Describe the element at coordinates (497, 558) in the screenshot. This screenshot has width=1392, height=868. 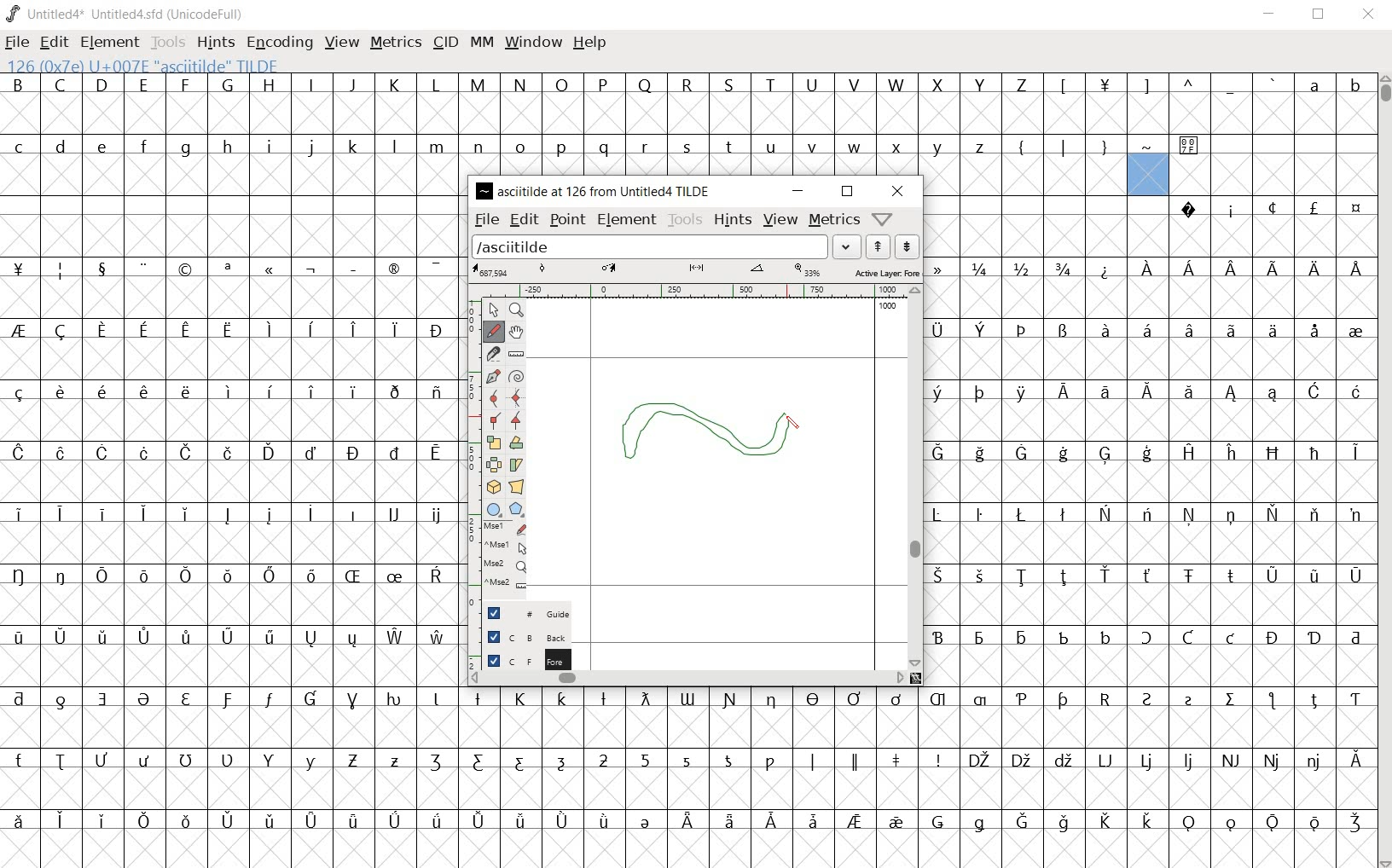
I see `mse1 mse1 mse2 mse2` at that location.